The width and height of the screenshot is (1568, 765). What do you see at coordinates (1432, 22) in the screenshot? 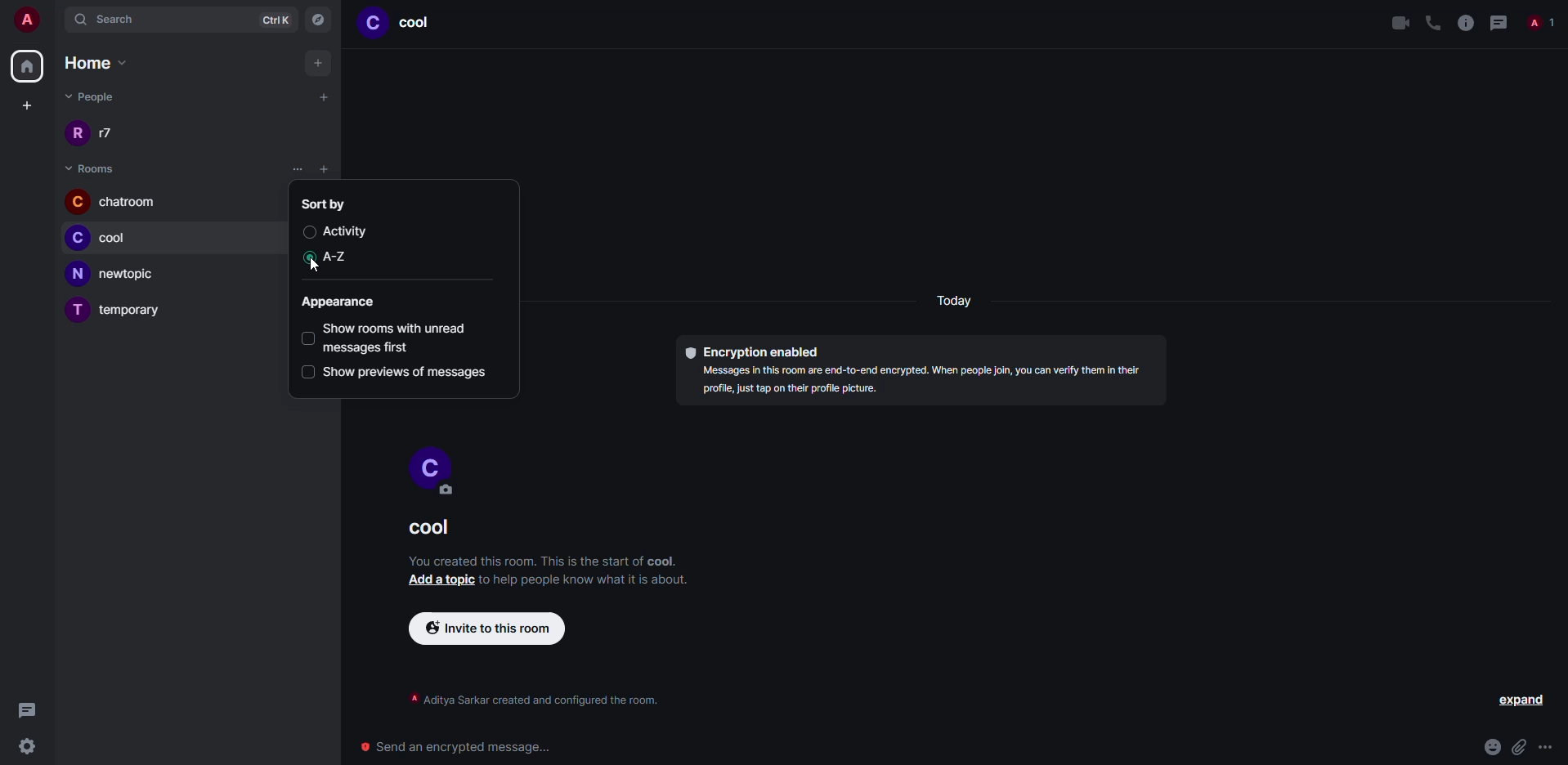
I see `voice call` at bounding box center [1432, 22].